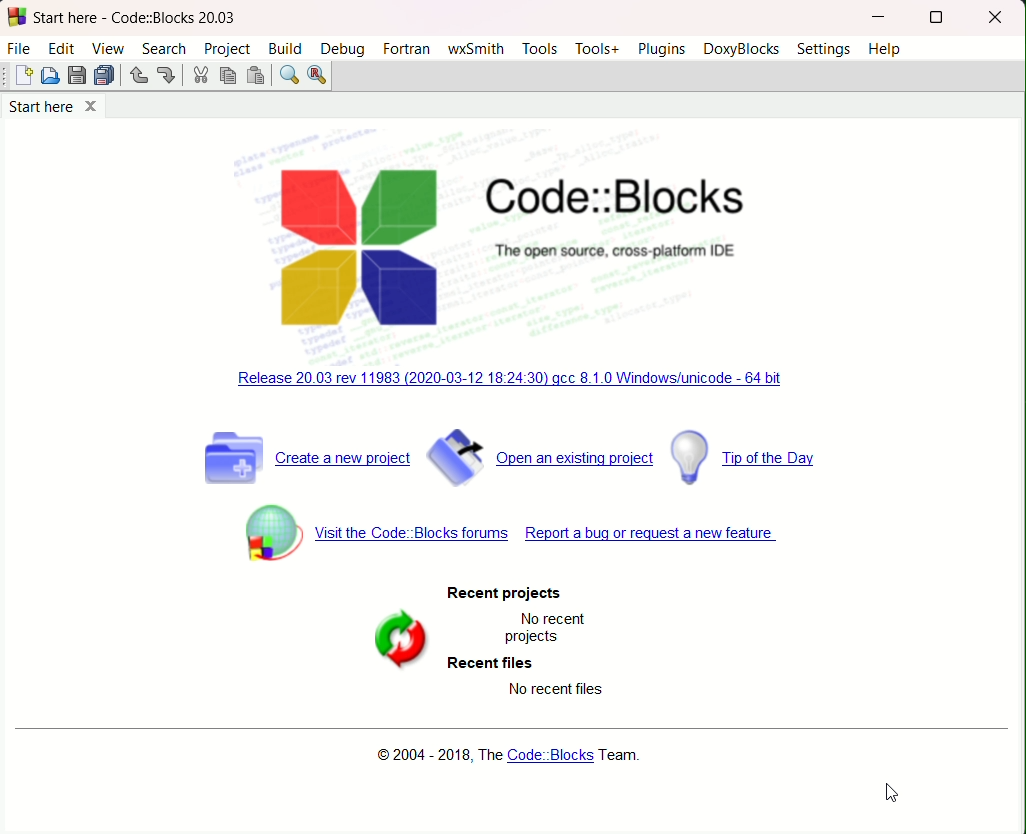 This screenshot has height=834, width=1026. Describe the element at coordinates (105, 75) in the screenshot. I see `save everything` at that location.